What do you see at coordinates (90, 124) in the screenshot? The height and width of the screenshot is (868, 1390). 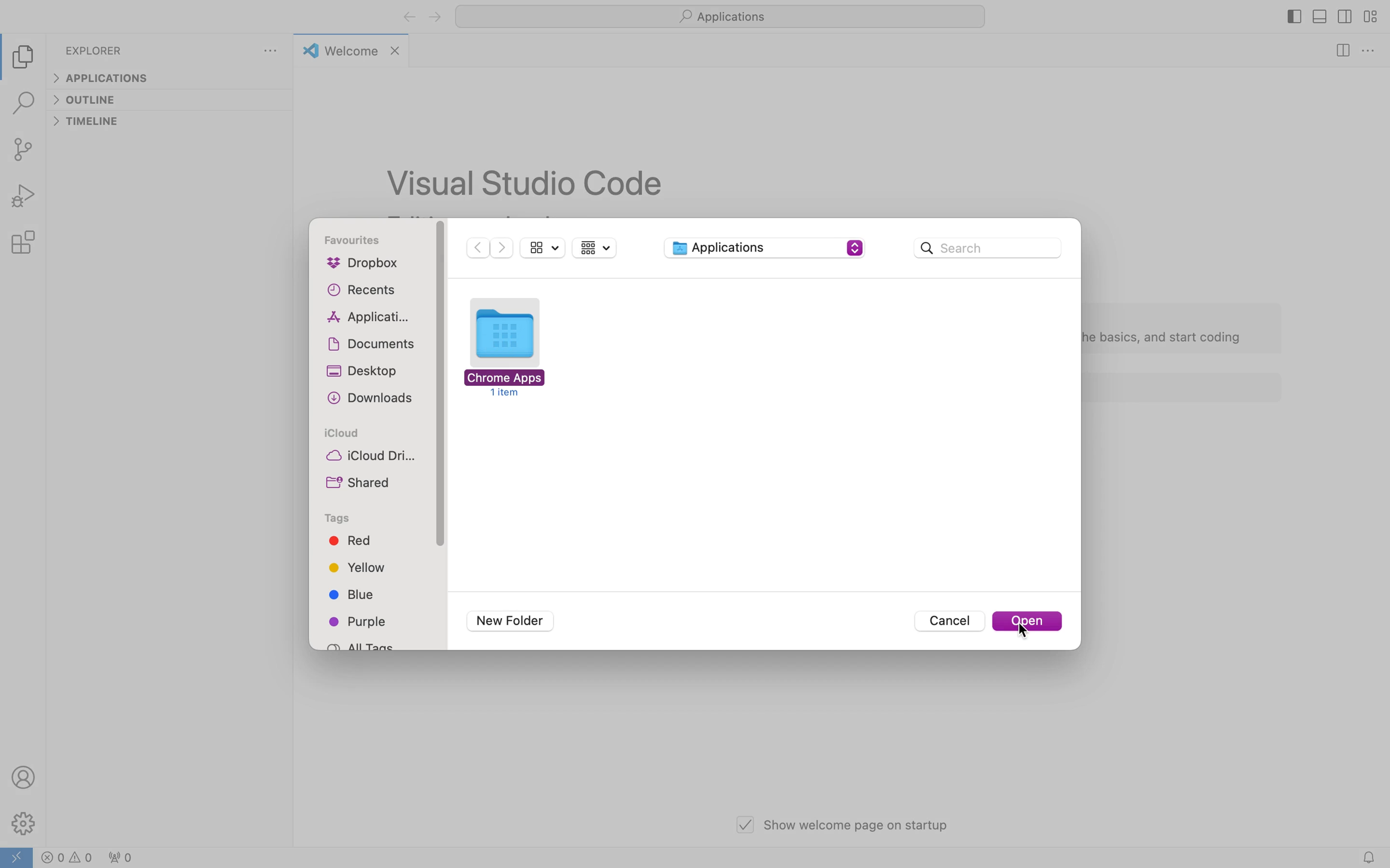 I see `timeline` at bounding box center [90, 124].